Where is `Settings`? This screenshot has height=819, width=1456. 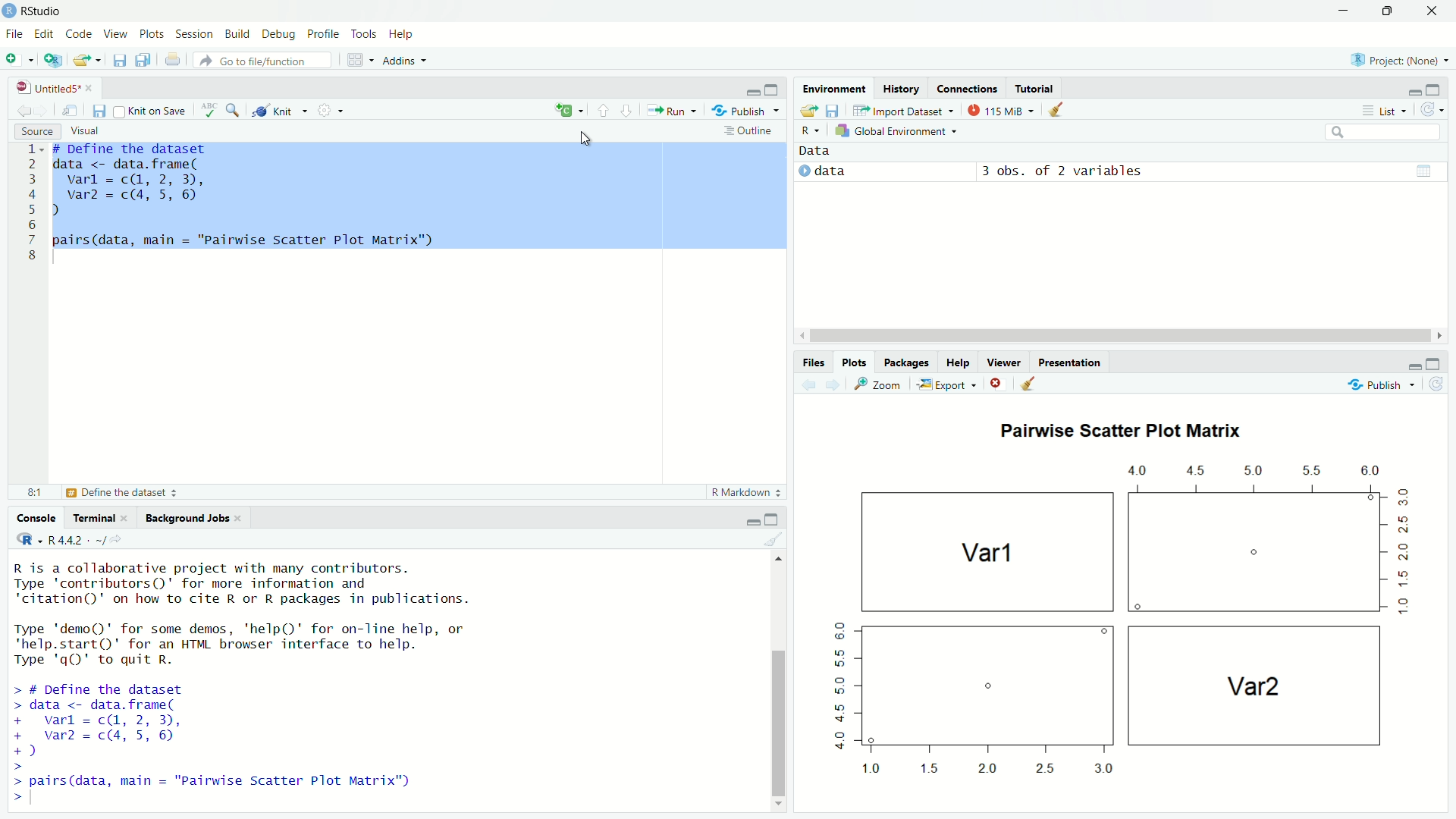 Settings is located at coordinates (330, 109).